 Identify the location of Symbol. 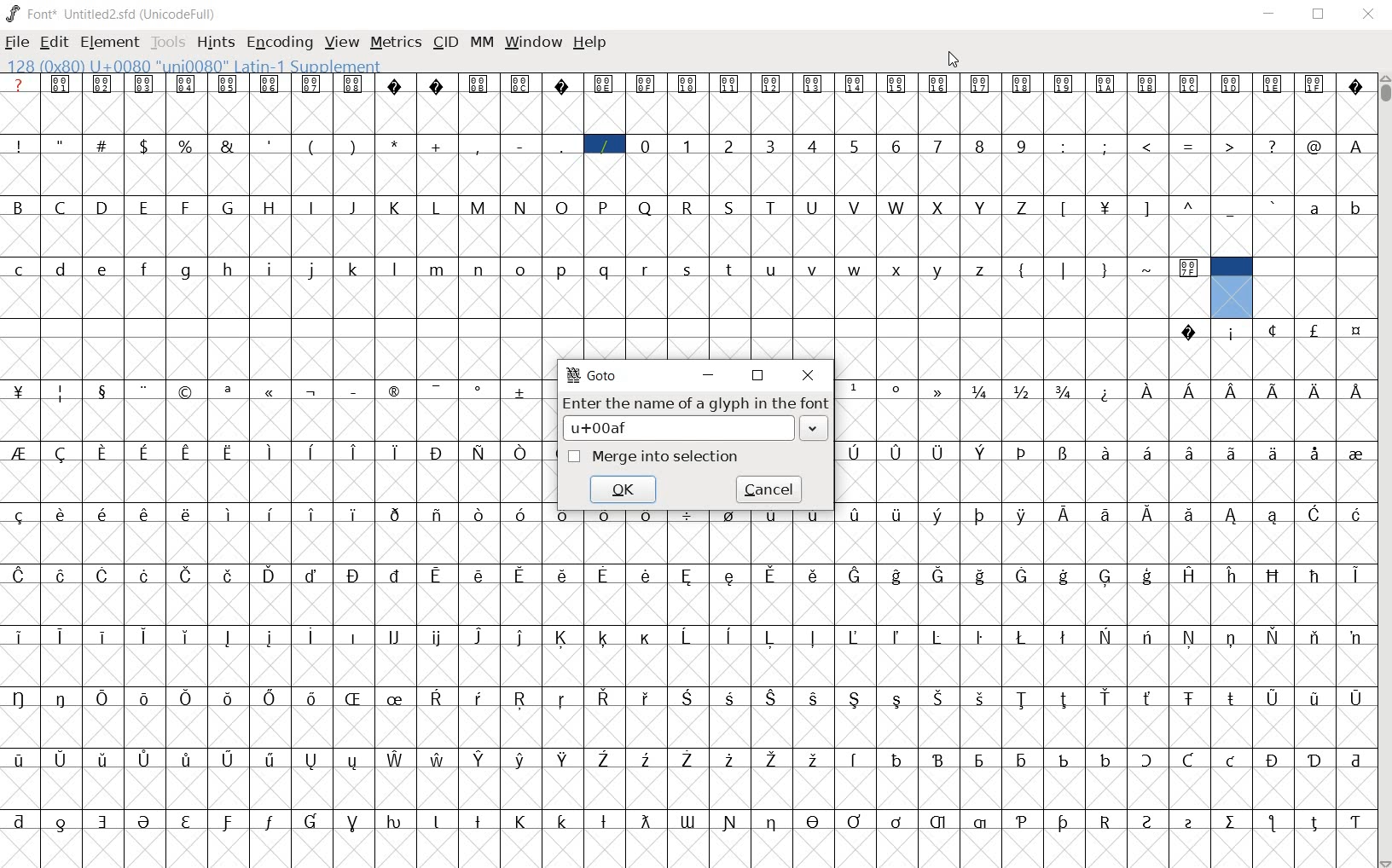
(1066, 391).